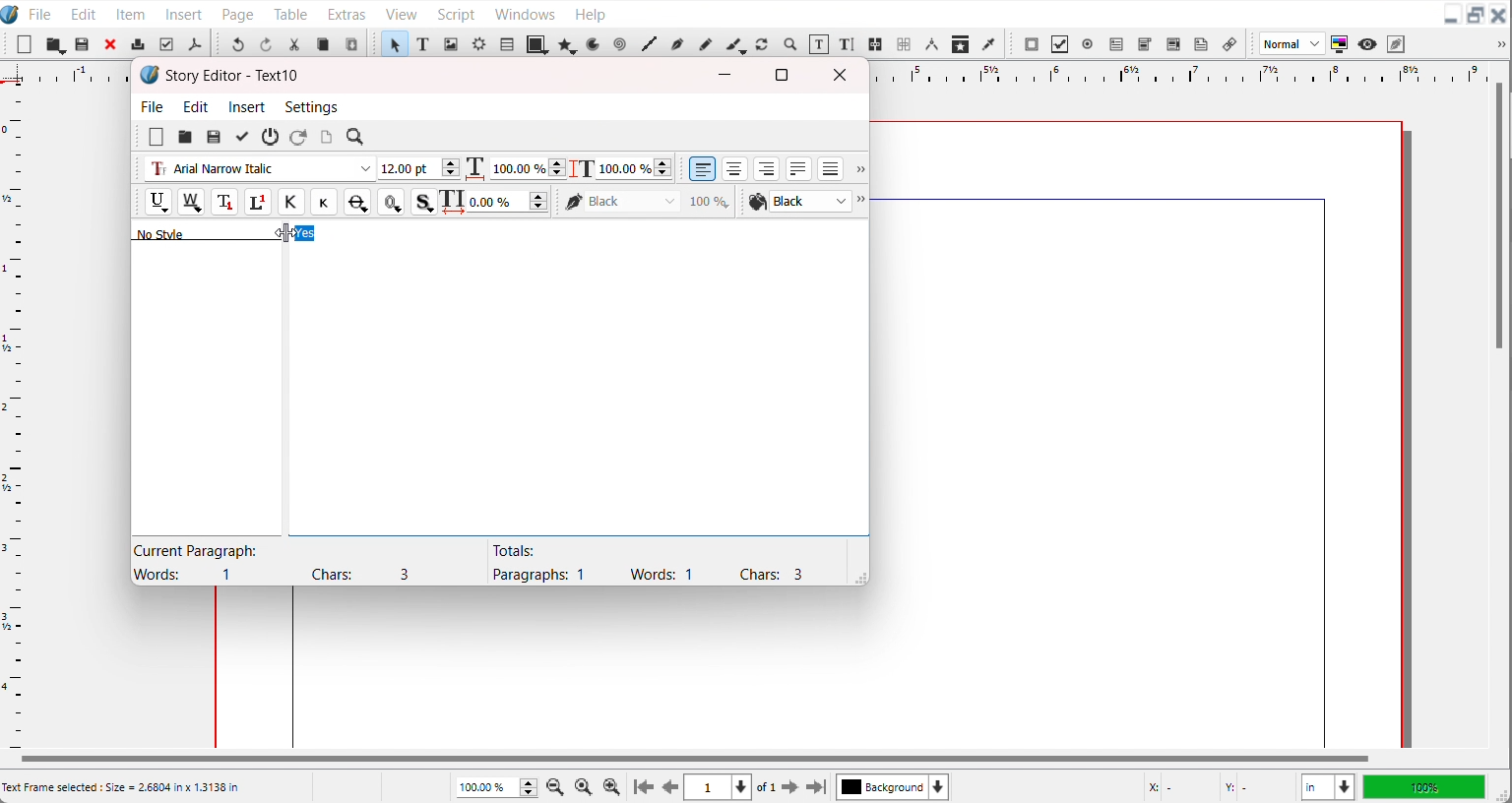  What do you see at coordinates (893, 786) in the screenshot?
I see `Select current layer` at bounding box center [893, 786].